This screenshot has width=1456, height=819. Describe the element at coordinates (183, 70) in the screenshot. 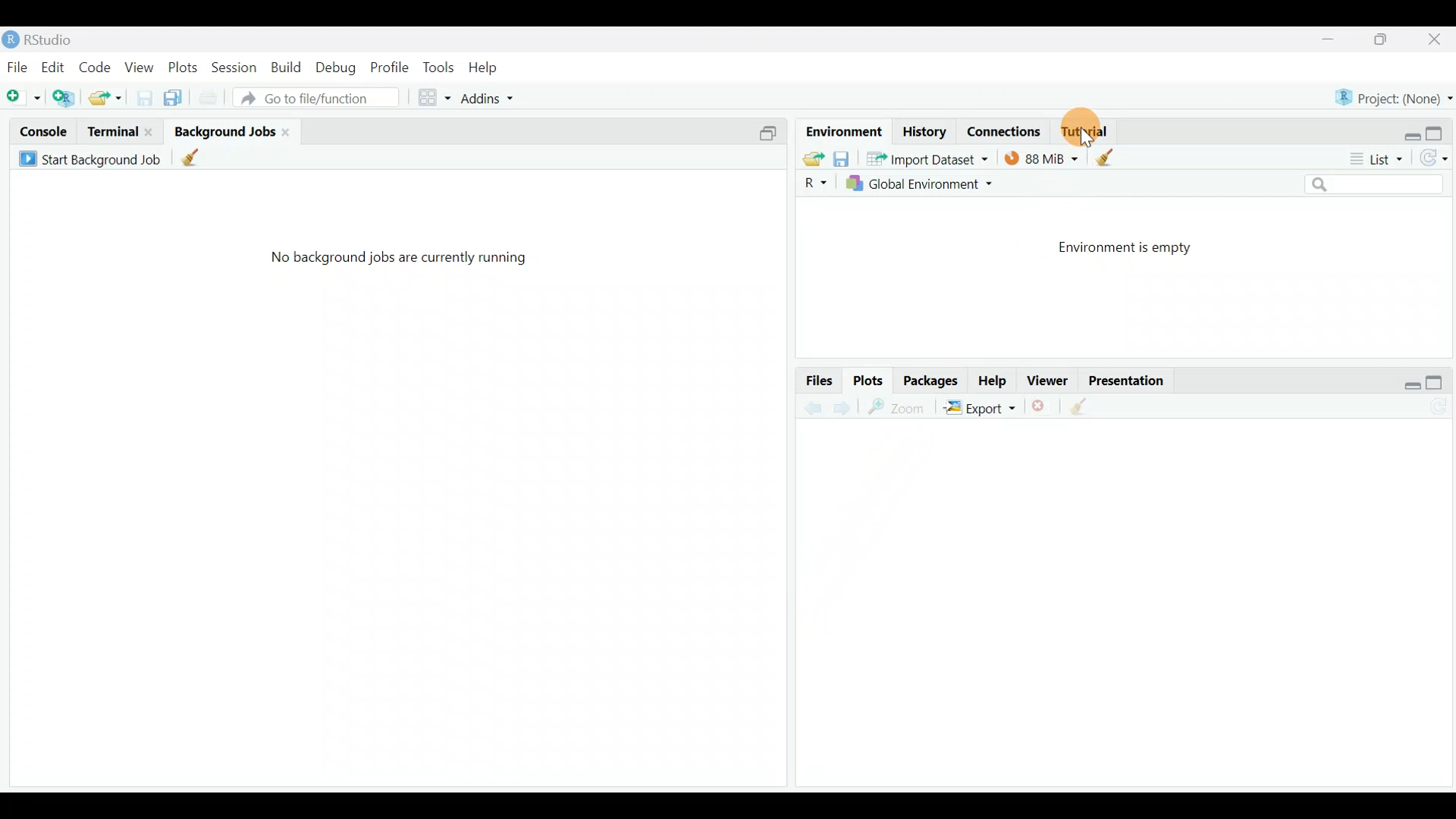

I see `Plots,` at that location.